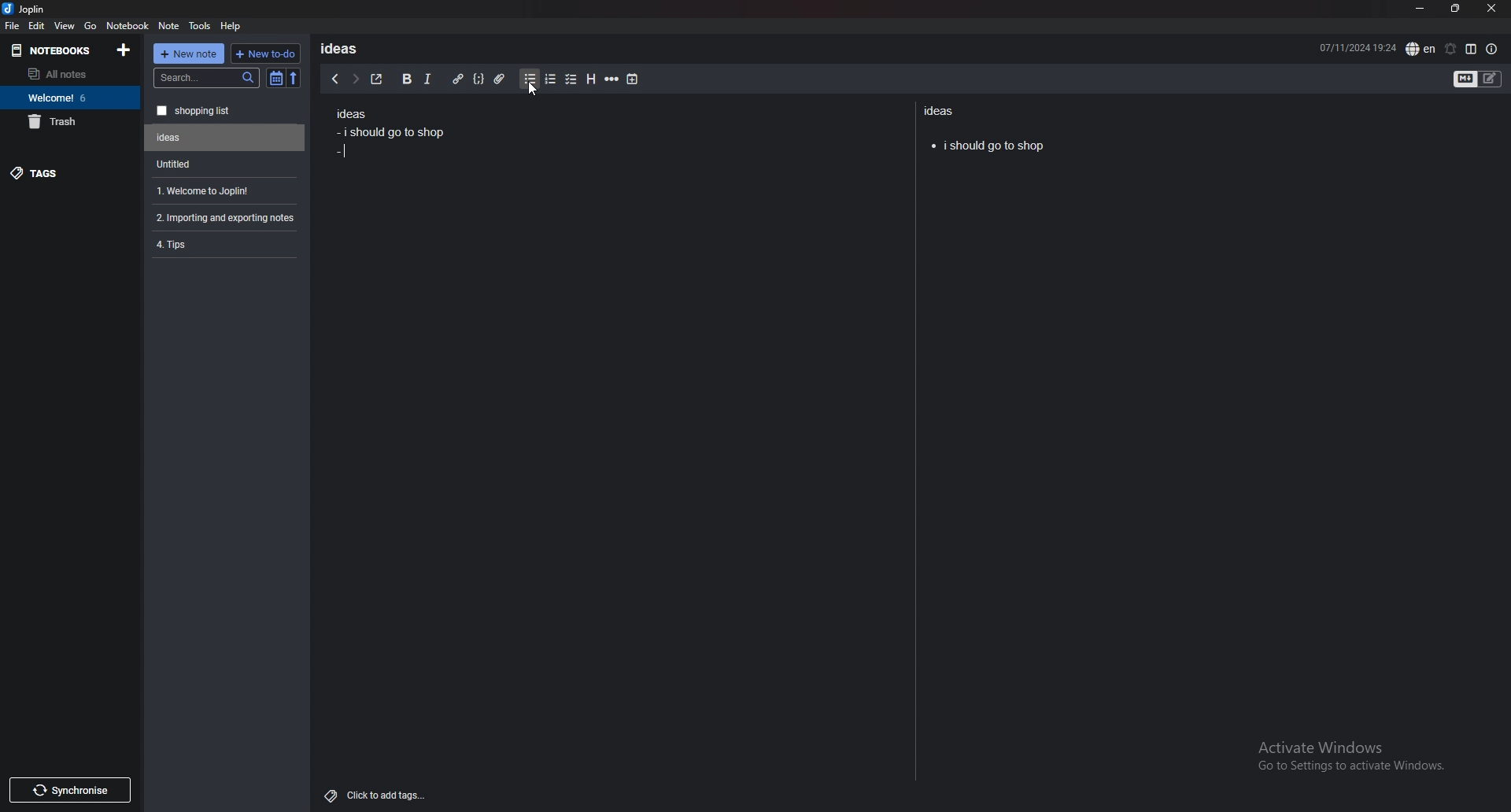 The width and height of the screenshot is (1511, 812). I want to click on toggle editors, so click(1478, 80).